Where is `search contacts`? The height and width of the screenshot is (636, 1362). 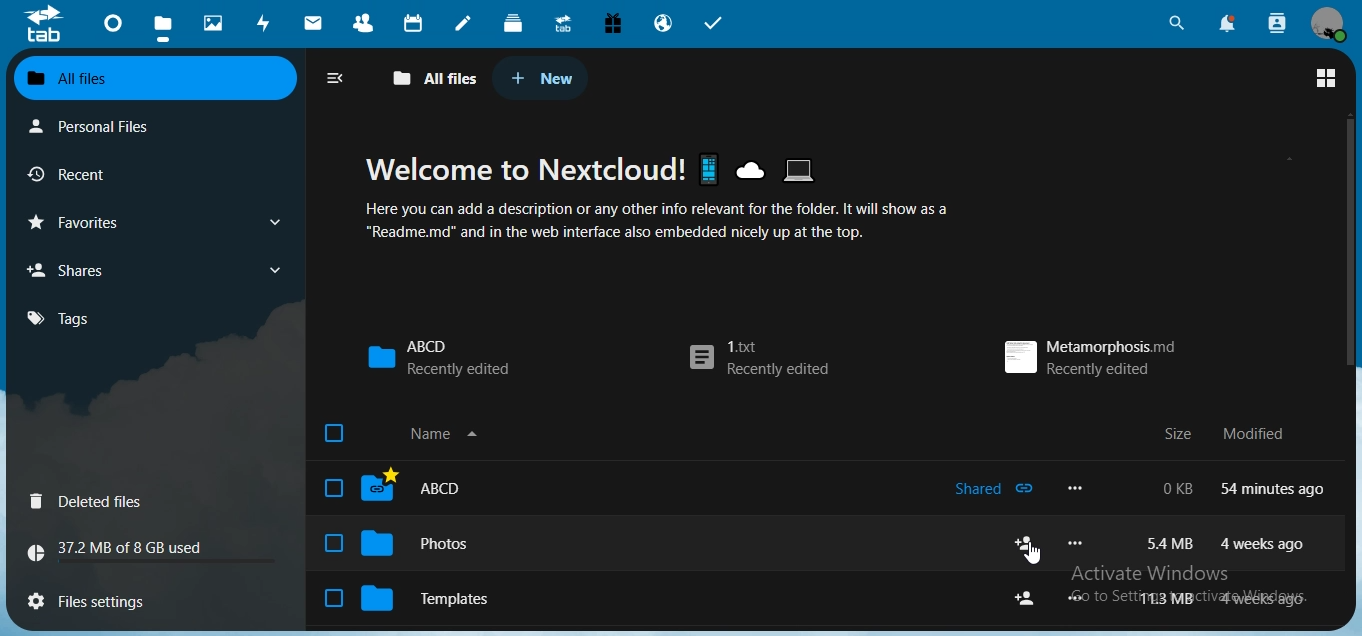
search contacts is located at coordinates (1277, 23).